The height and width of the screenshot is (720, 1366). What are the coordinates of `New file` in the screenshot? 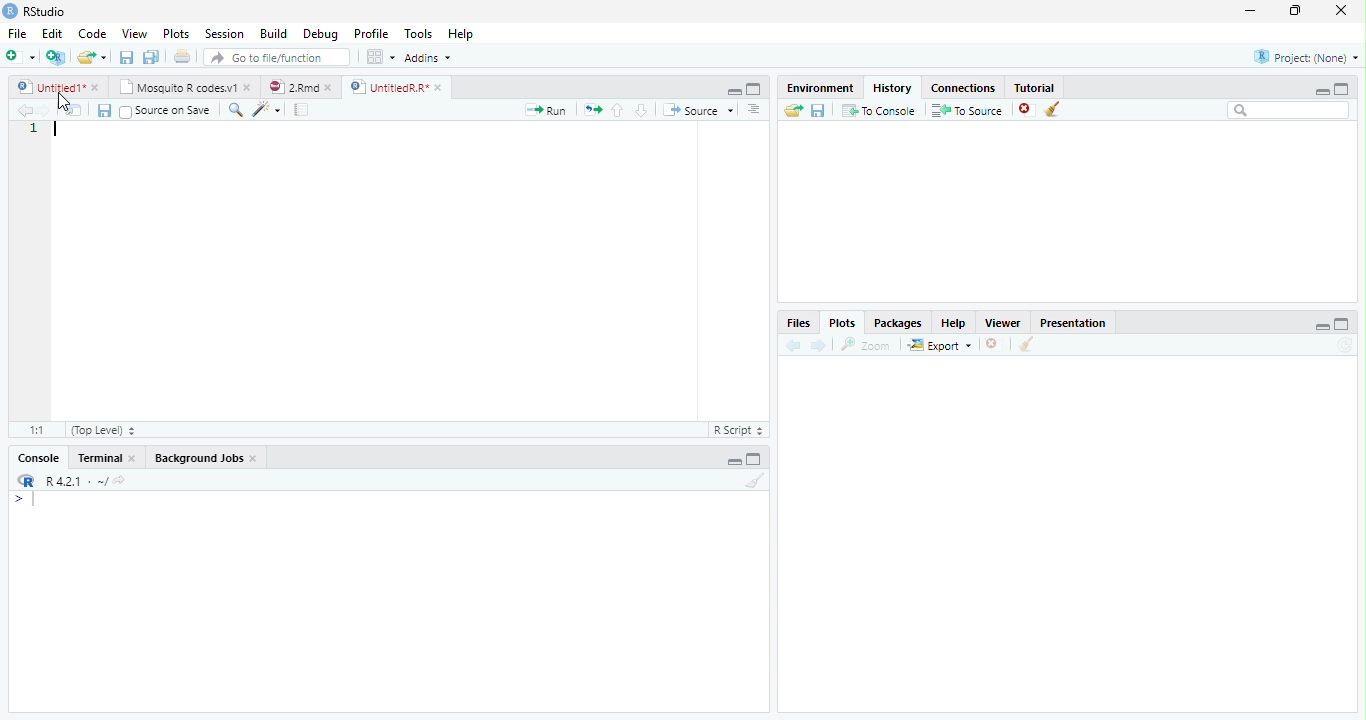 It's located at (20, 57).